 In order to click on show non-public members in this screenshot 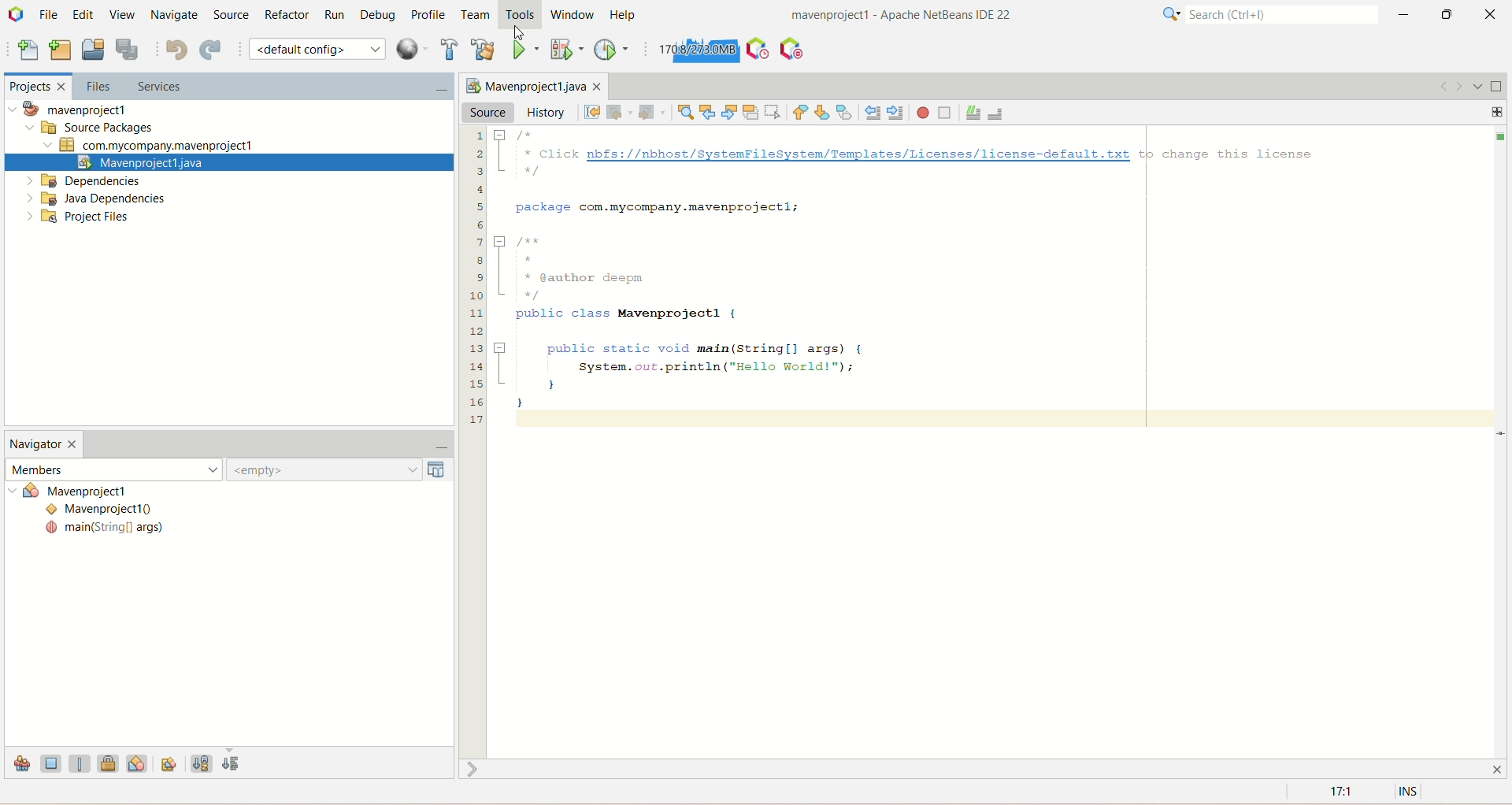, I will do `click(111, 762)`.